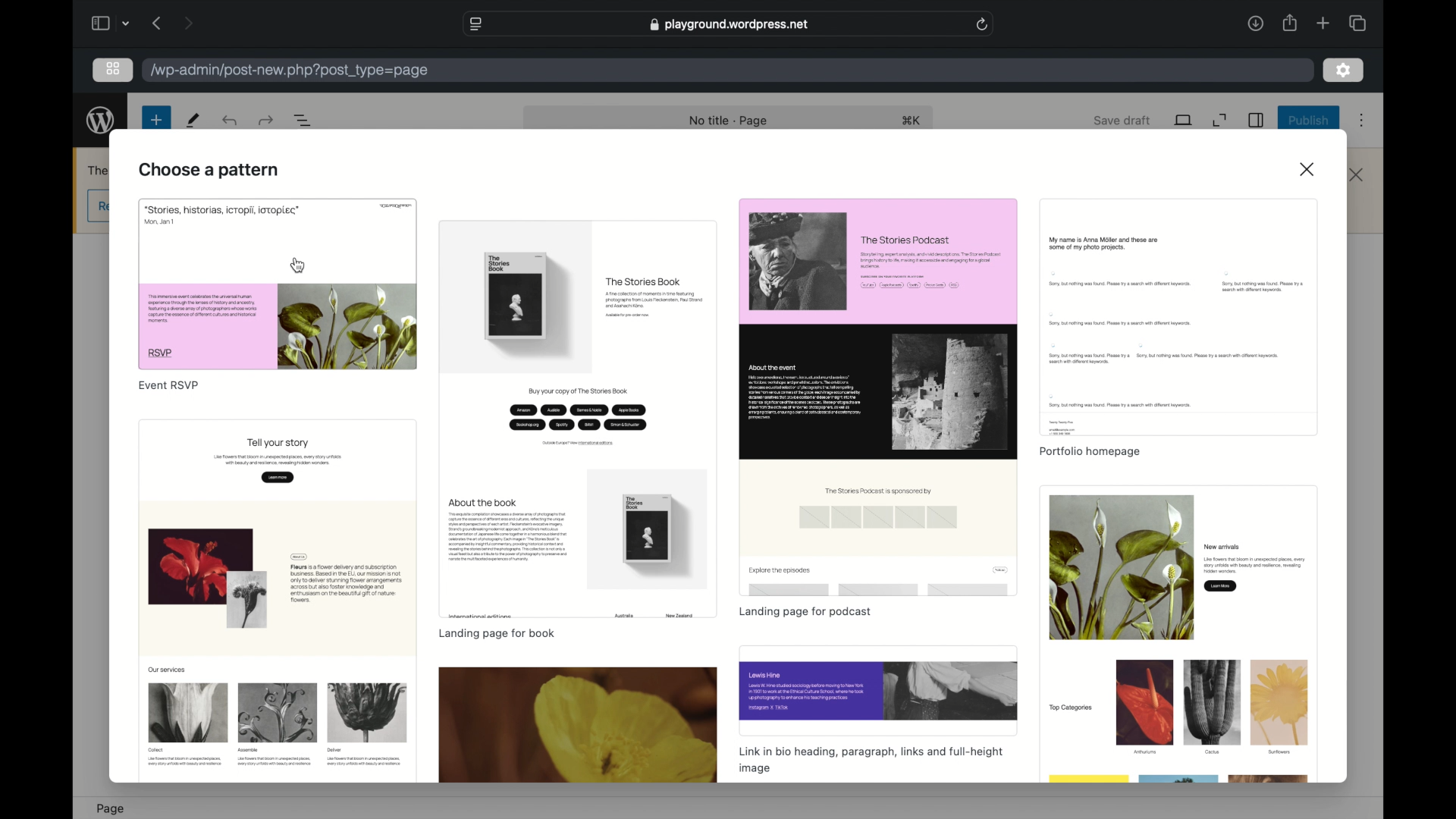 The image size is (1456, 819). Describe the element at coordinates (1181, 635) in the screenshot. I see `preview` at that location.